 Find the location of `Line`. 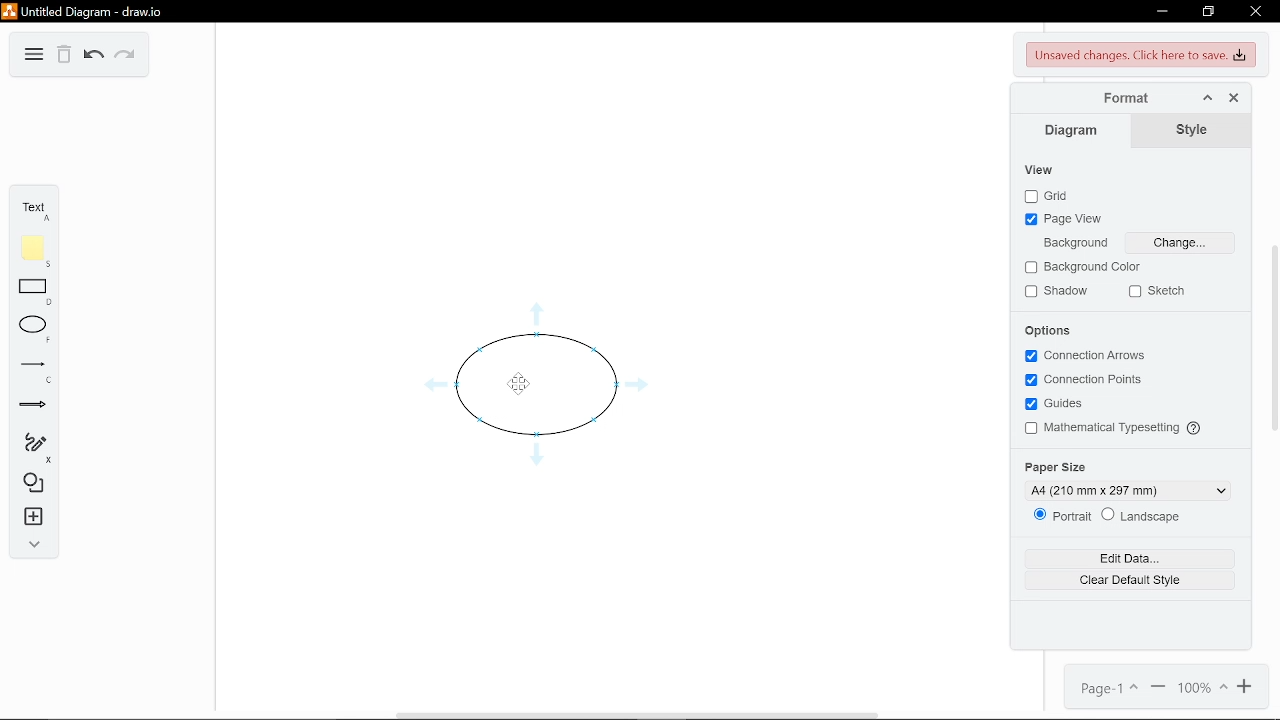

Line is located at coordinates (31, 365).